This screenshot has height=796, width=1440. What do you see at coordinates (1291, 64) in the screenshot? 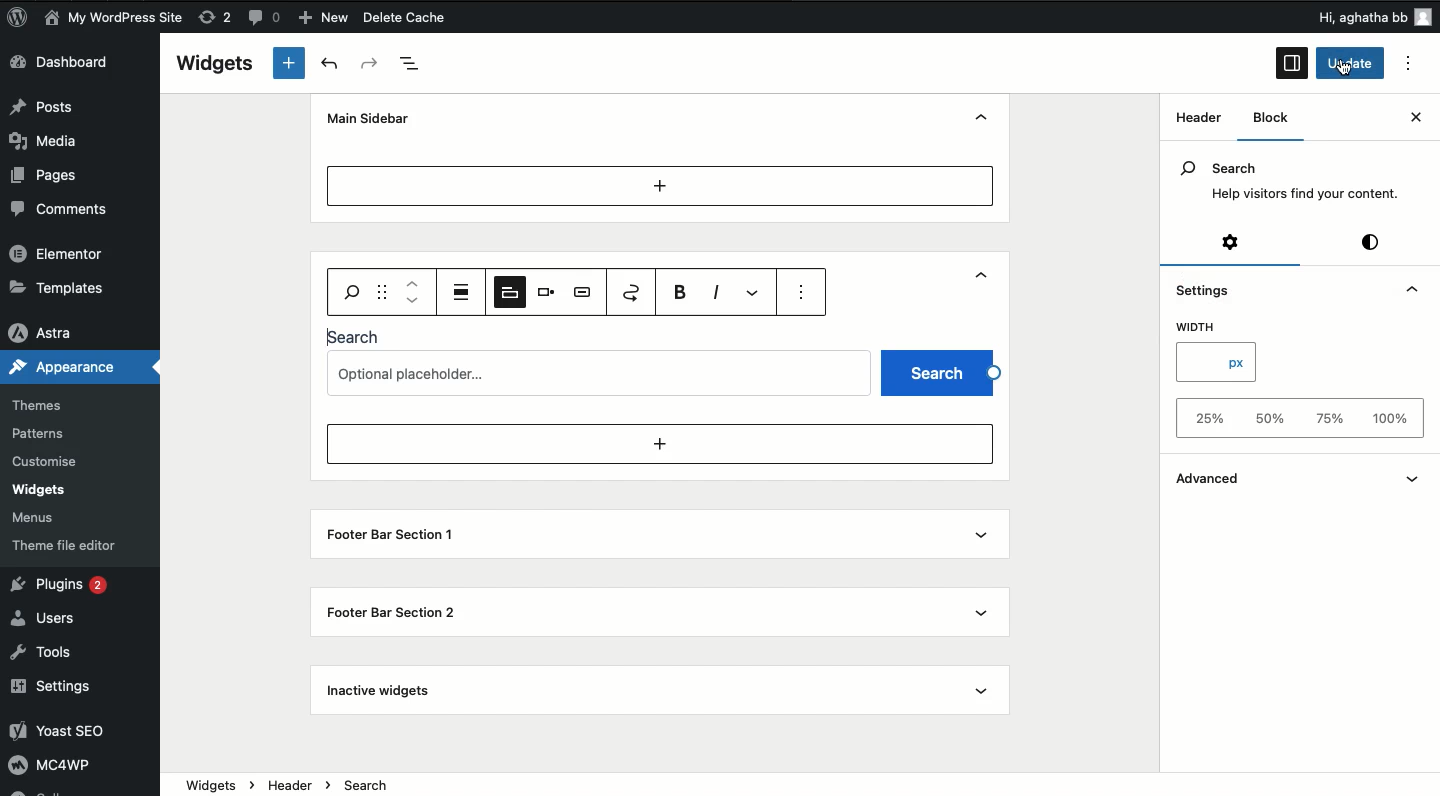
I see `Sidebar` at bounding box center [1291, 64].